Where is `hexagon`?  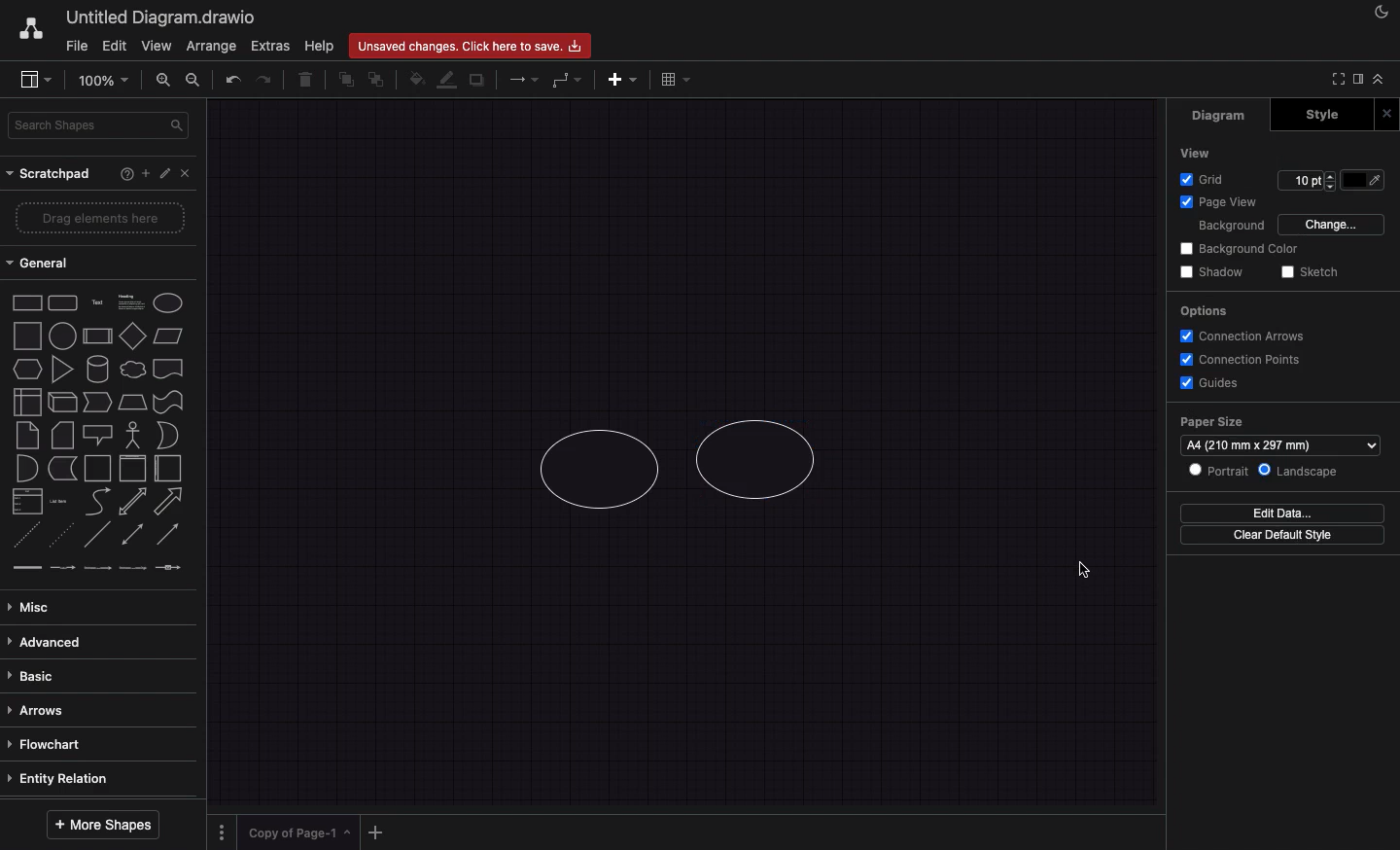
hexagon is located at coordinates (26, 370).